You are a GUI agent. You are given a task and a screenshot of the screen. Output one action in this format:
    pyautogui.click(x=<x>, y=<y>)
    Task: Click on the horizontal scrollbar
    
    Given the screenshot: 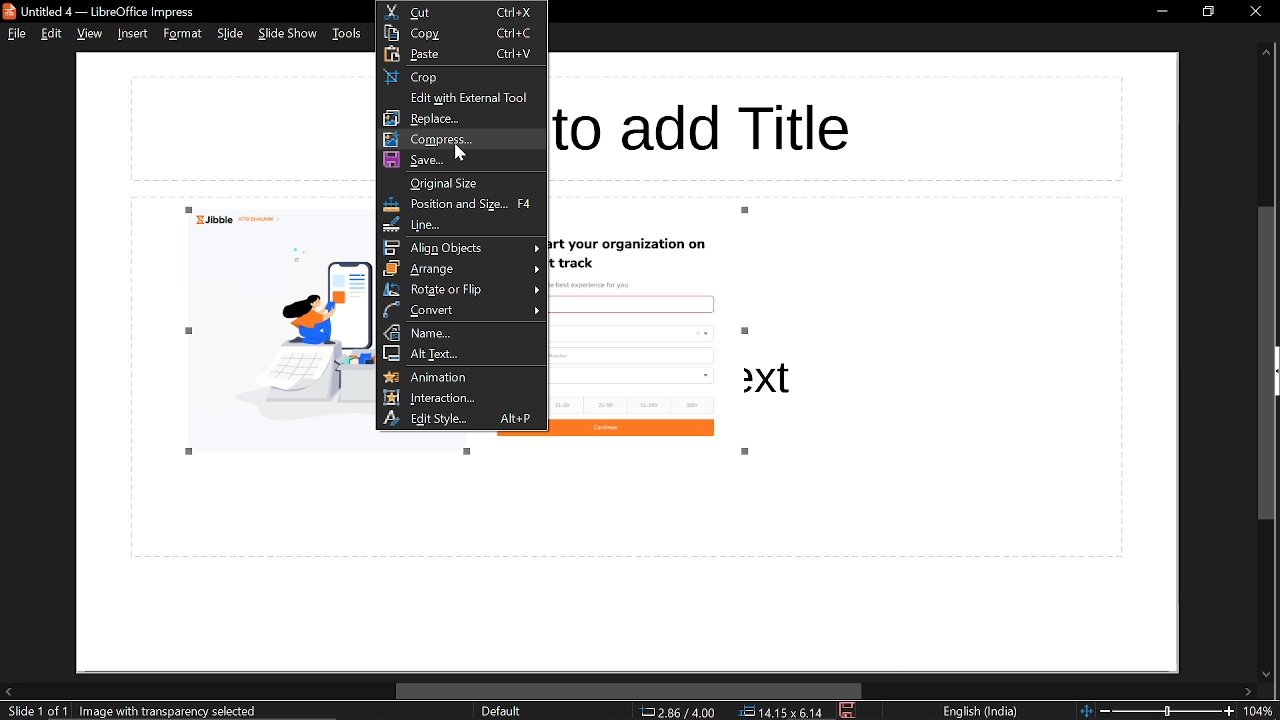 What is the action you would take?
    pyautogui.click(x=630, y=691)
    